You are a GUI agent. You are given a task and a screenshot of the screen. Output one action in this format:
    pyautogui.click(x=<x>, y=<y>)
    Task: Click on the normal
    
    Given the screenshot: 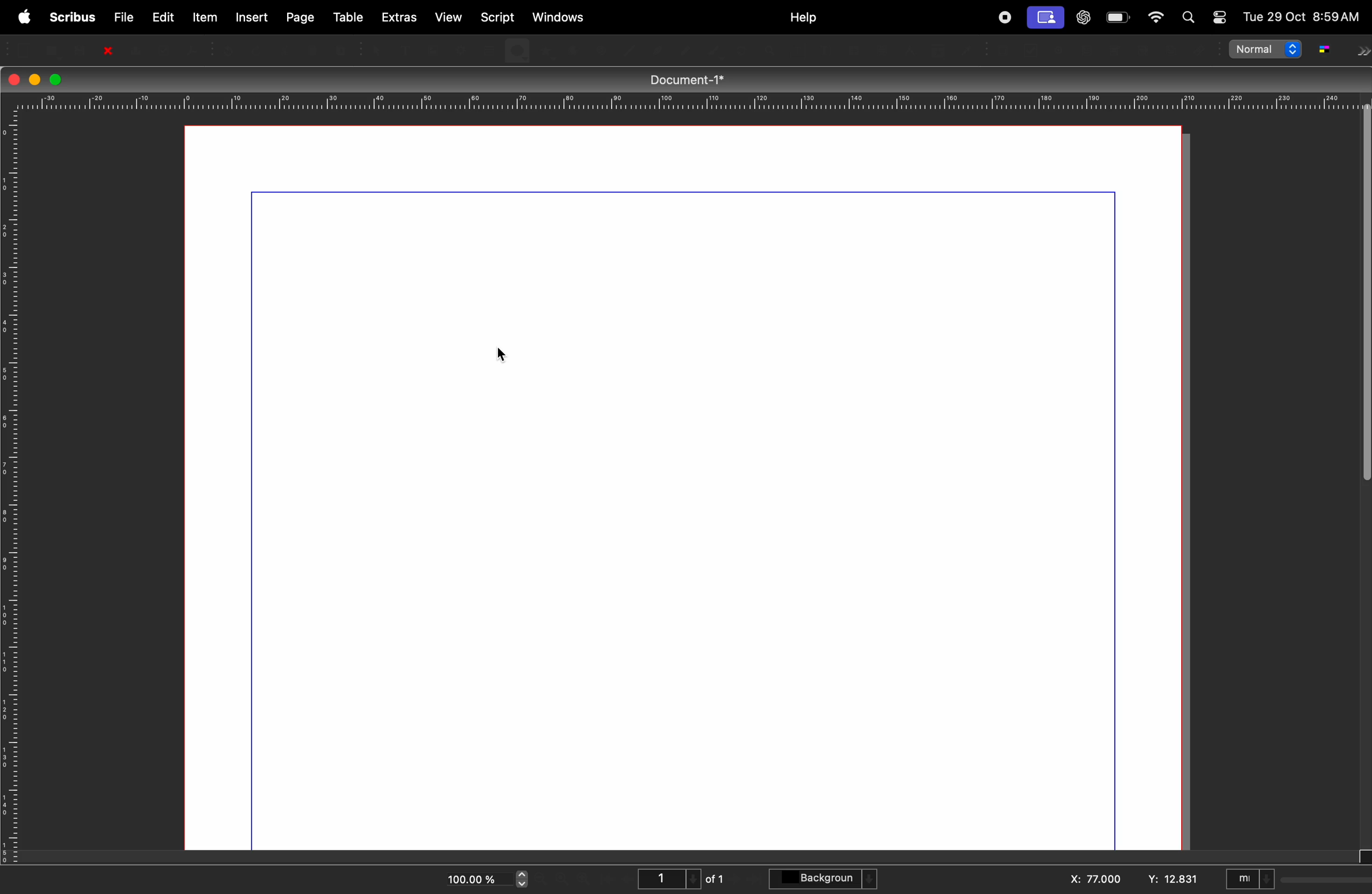 What is the action you would take?
    pyautogui.click(x=1265, y=52)
    